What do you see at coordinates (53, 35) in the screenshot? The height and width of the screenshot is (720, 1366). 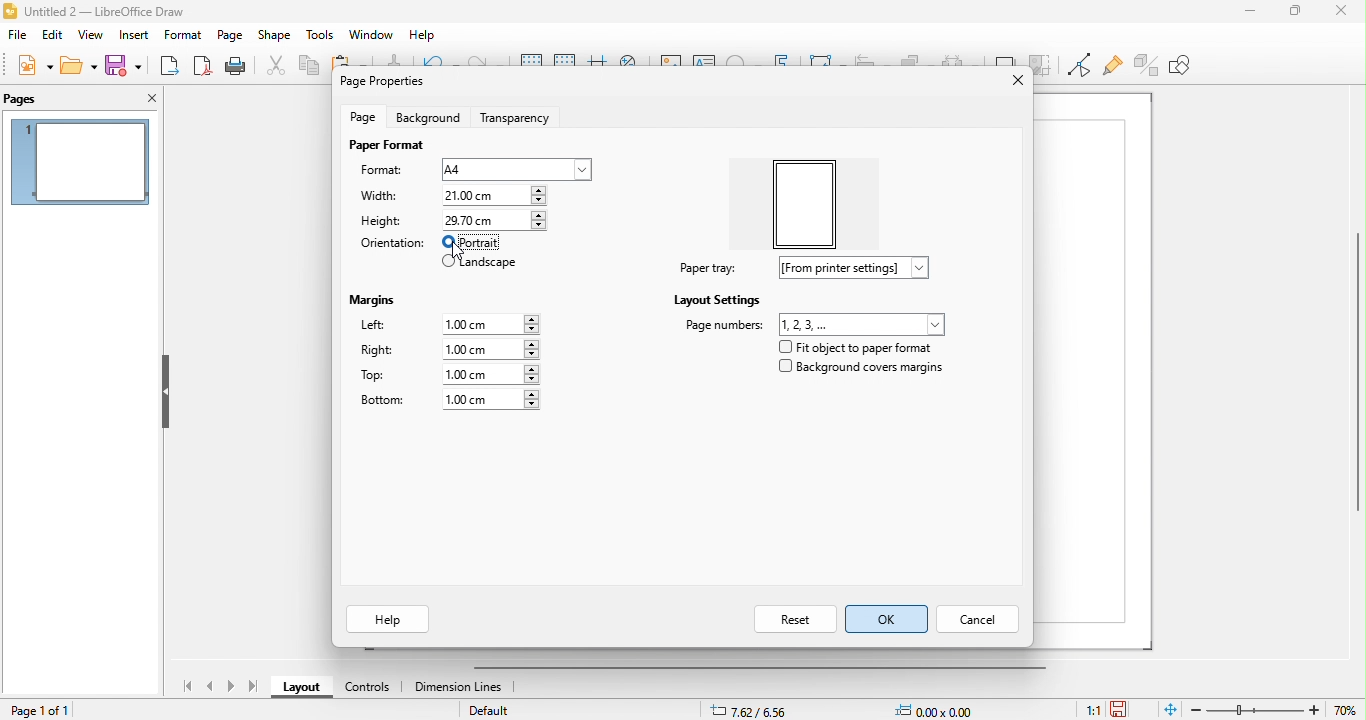 I see `edit` at bounding box center [53, 35].